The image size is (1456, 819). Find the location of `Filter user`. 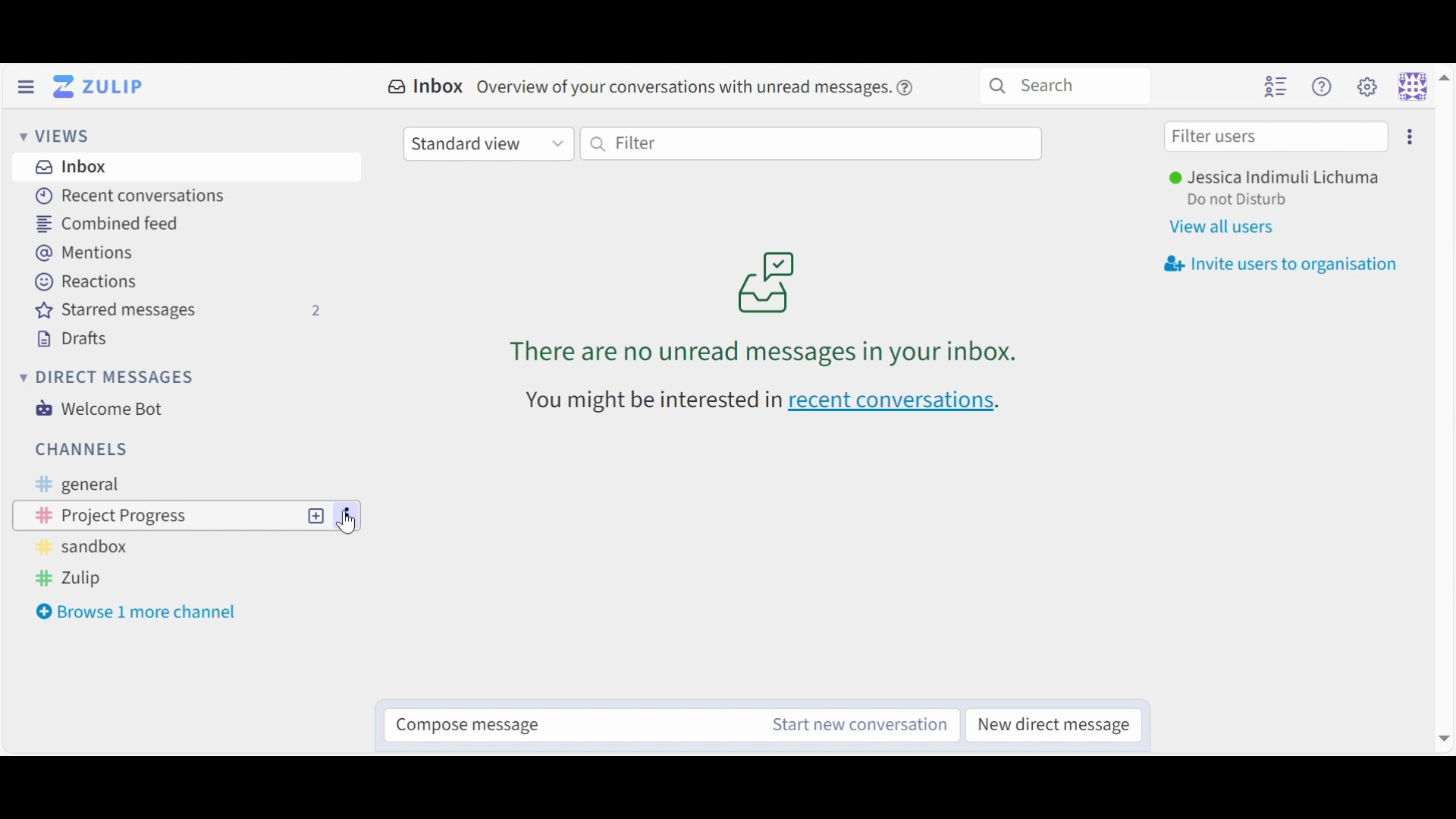

Filter user is located at coordinates (1273, 137).